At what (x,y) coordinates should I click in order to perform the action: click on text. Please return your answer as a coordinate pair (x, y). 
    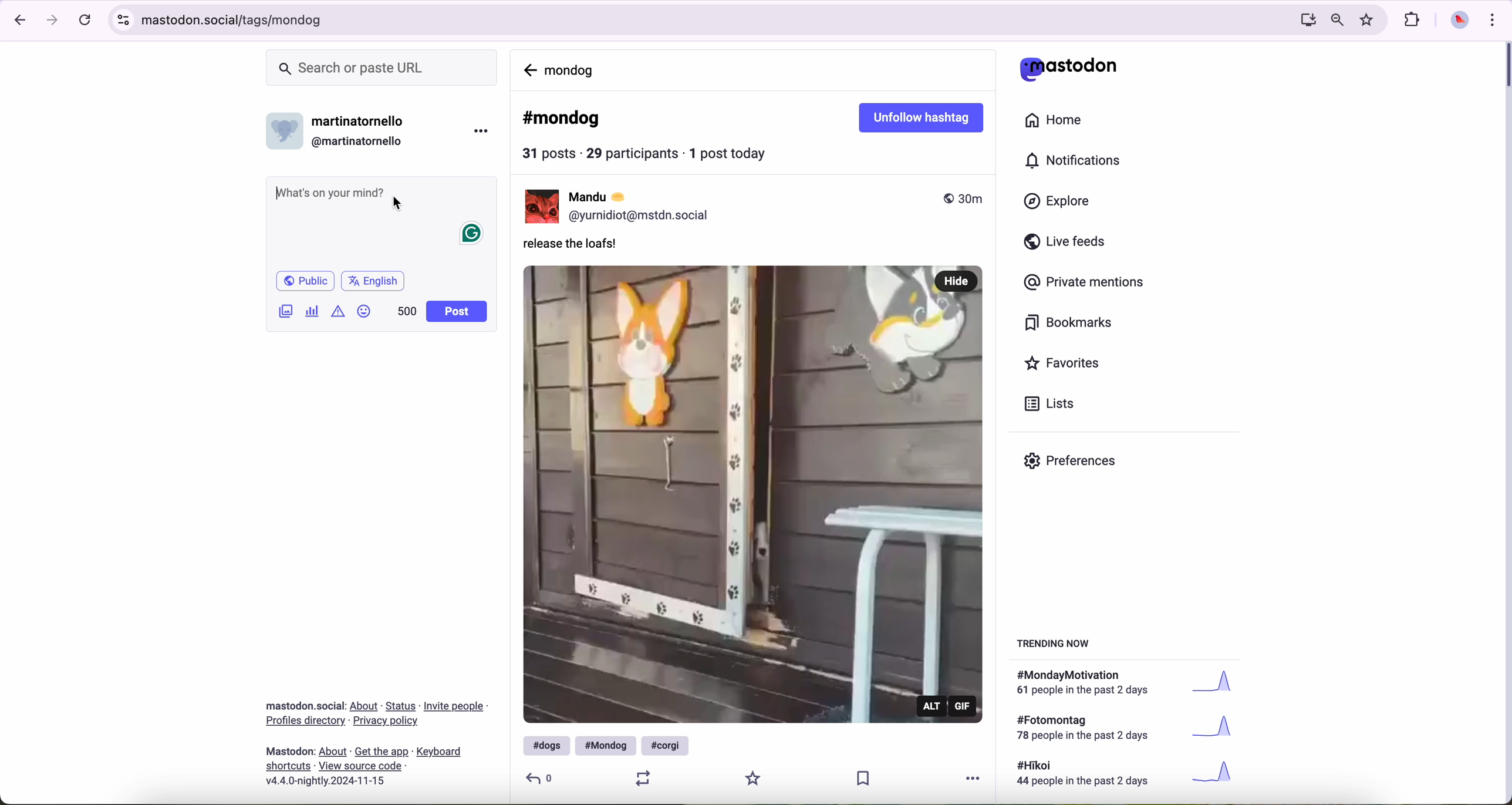
    Looking at the image, I should click on (1089, 684).